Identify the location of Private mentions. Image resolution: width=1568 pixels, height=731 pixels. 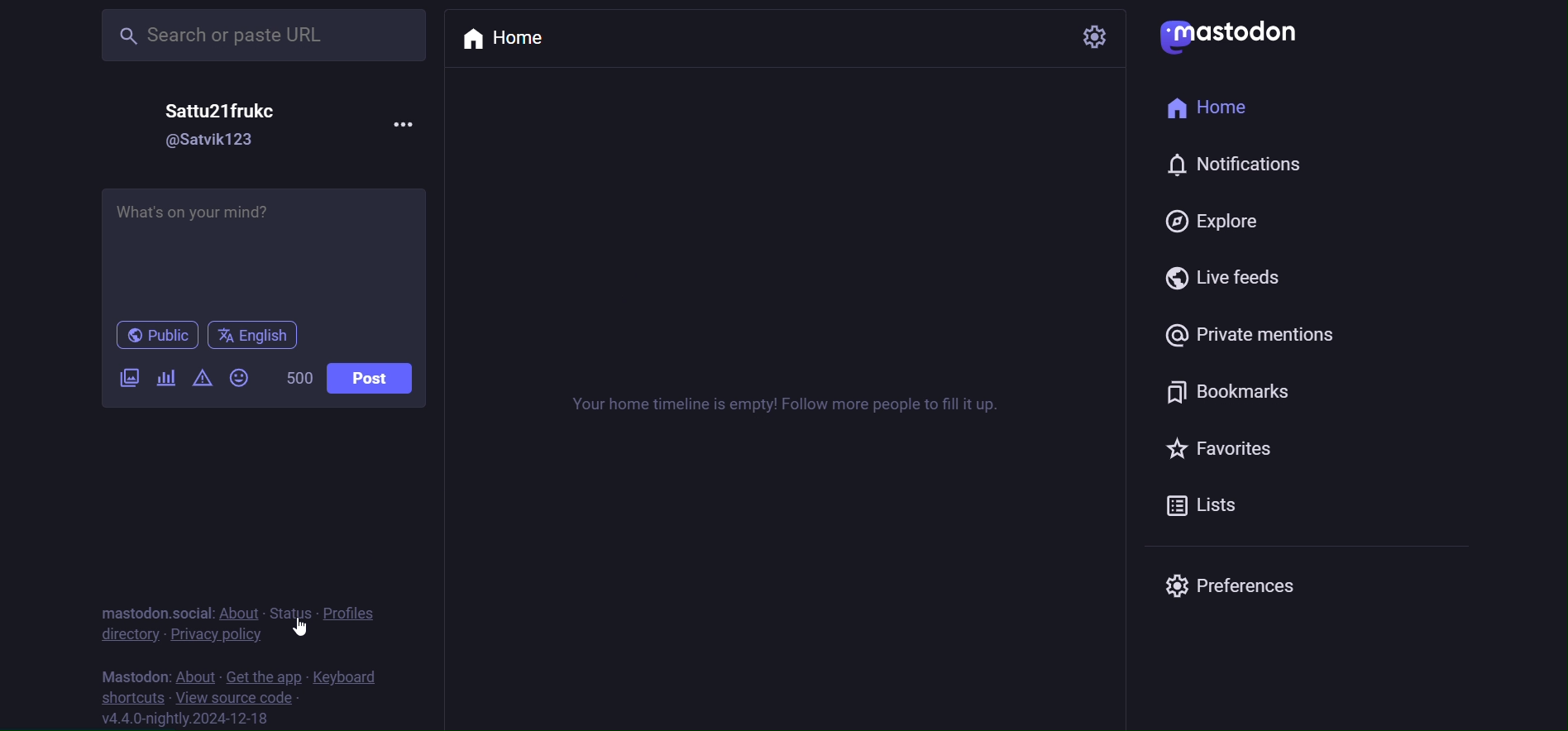
(1249, 335).